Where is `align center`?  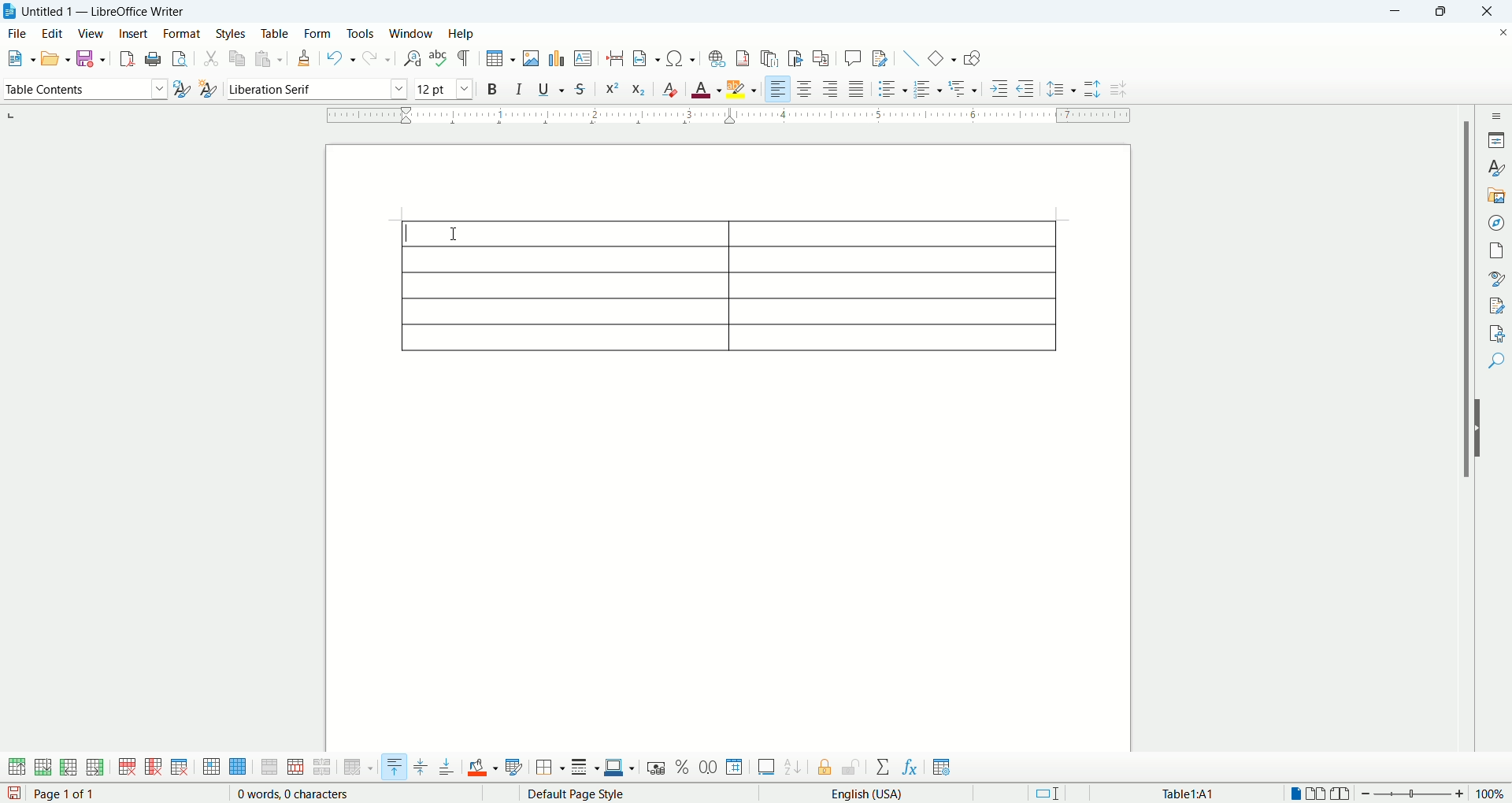 align center is located at coordinates (804, 88).